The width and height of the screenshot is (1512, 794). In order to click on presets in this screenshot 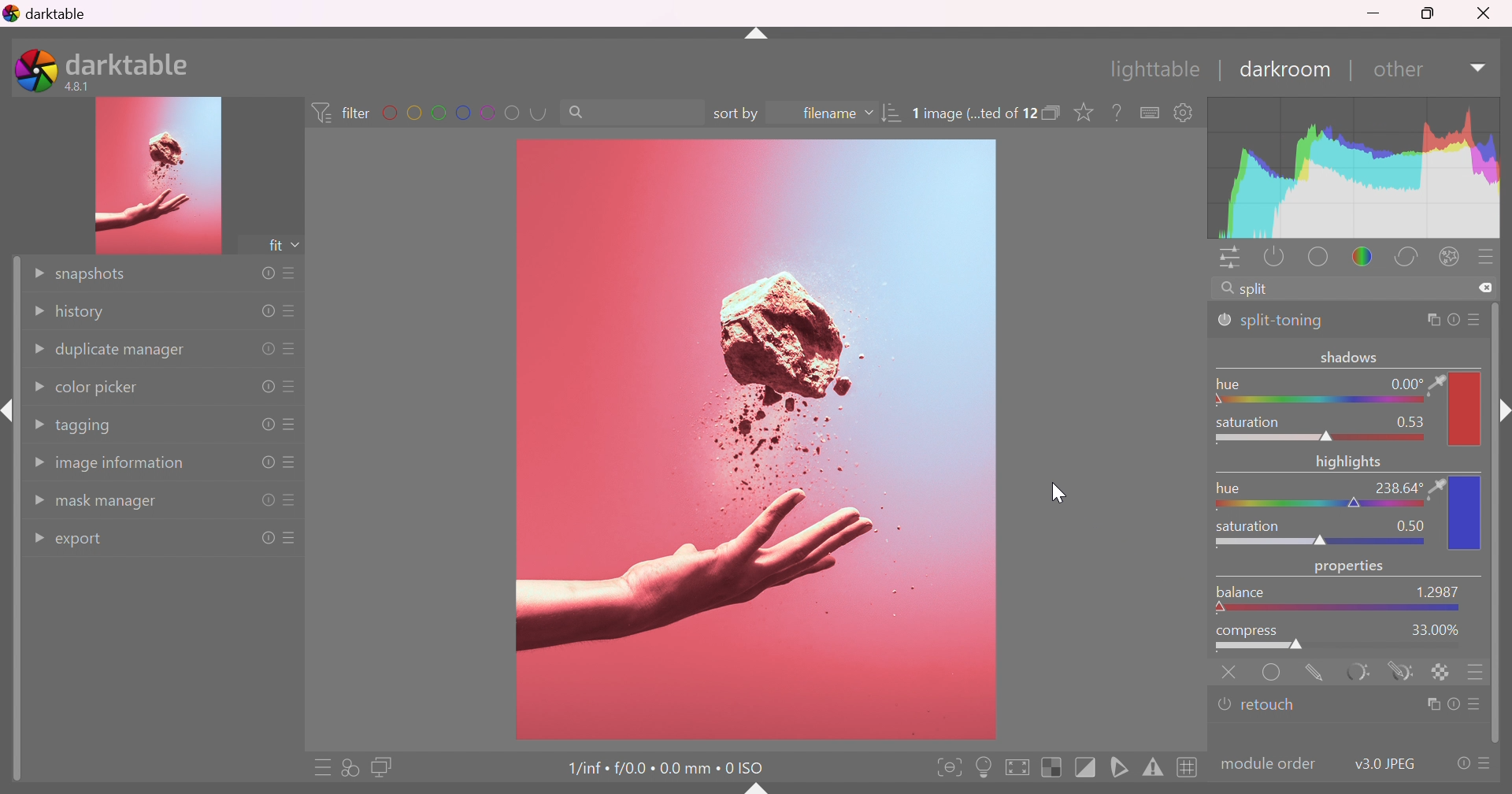, I will do `click(291, 425)`.